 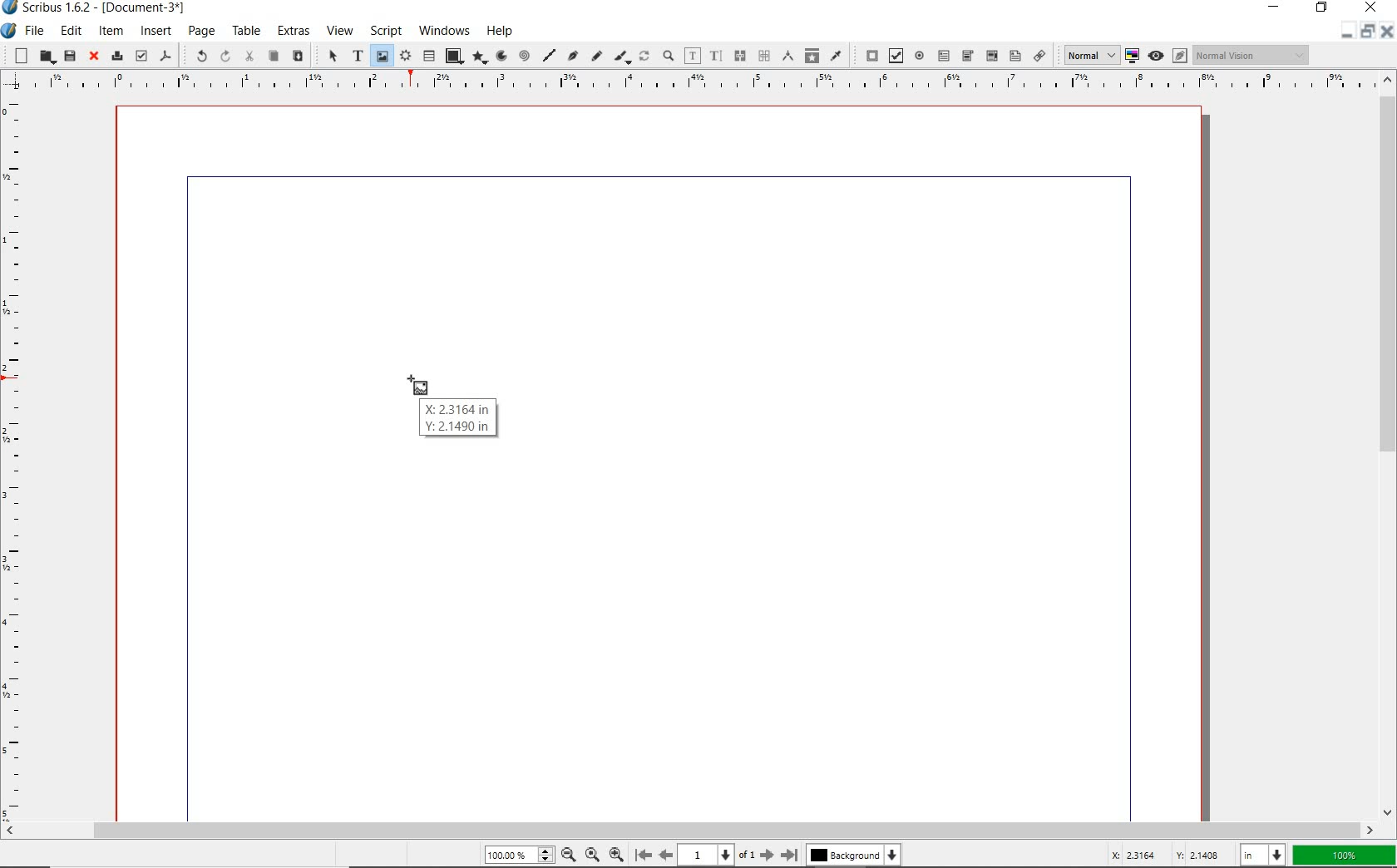 What do you see at coordinates (811, 57) in the screenshot?
I see `copy item properties` at bounding box center [811, 57].